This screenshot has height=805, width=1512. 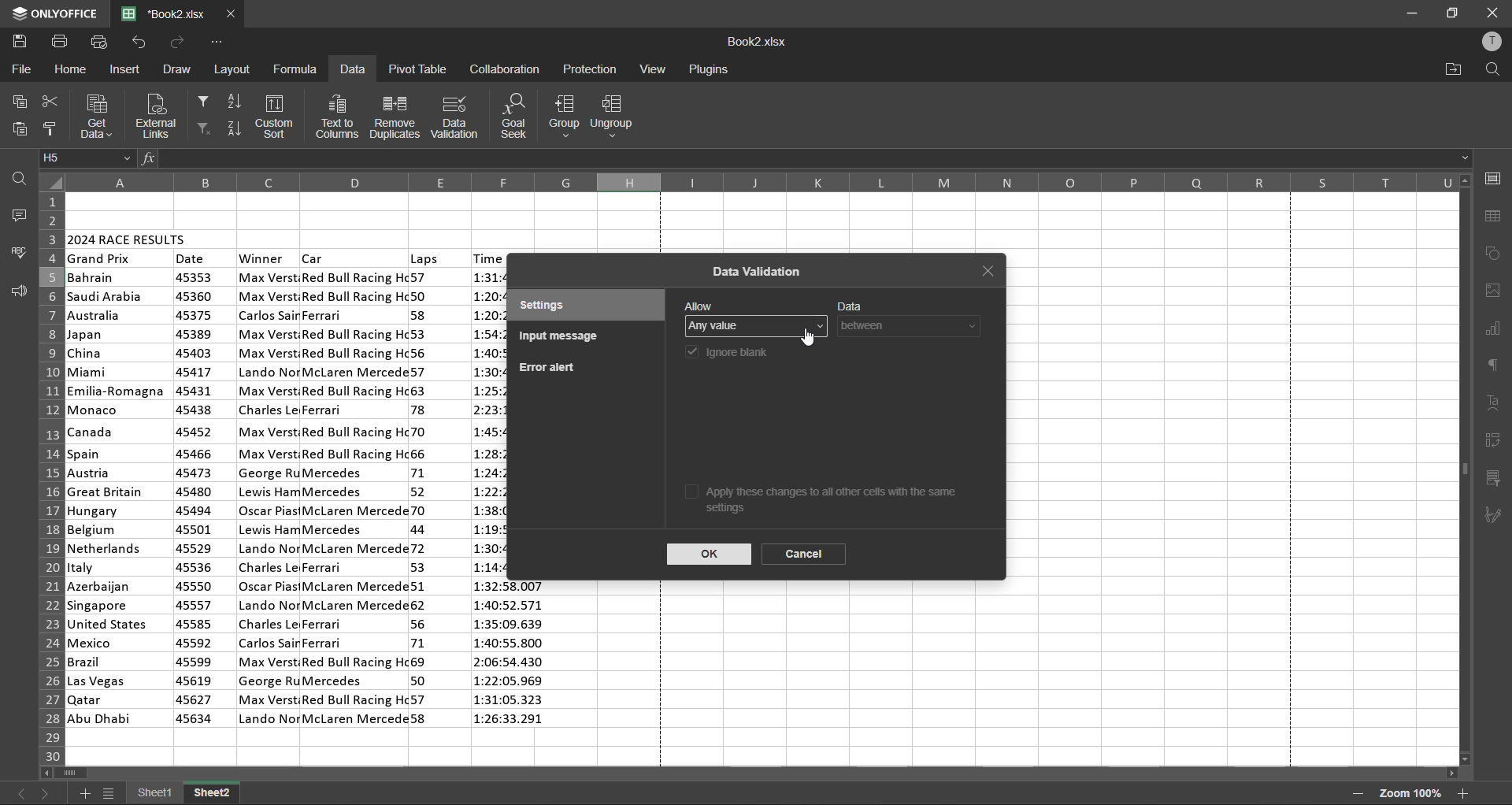 What do you see at coordinates (850, 303) in the screenshot?
I see `data` at bounding box center [850, 303].